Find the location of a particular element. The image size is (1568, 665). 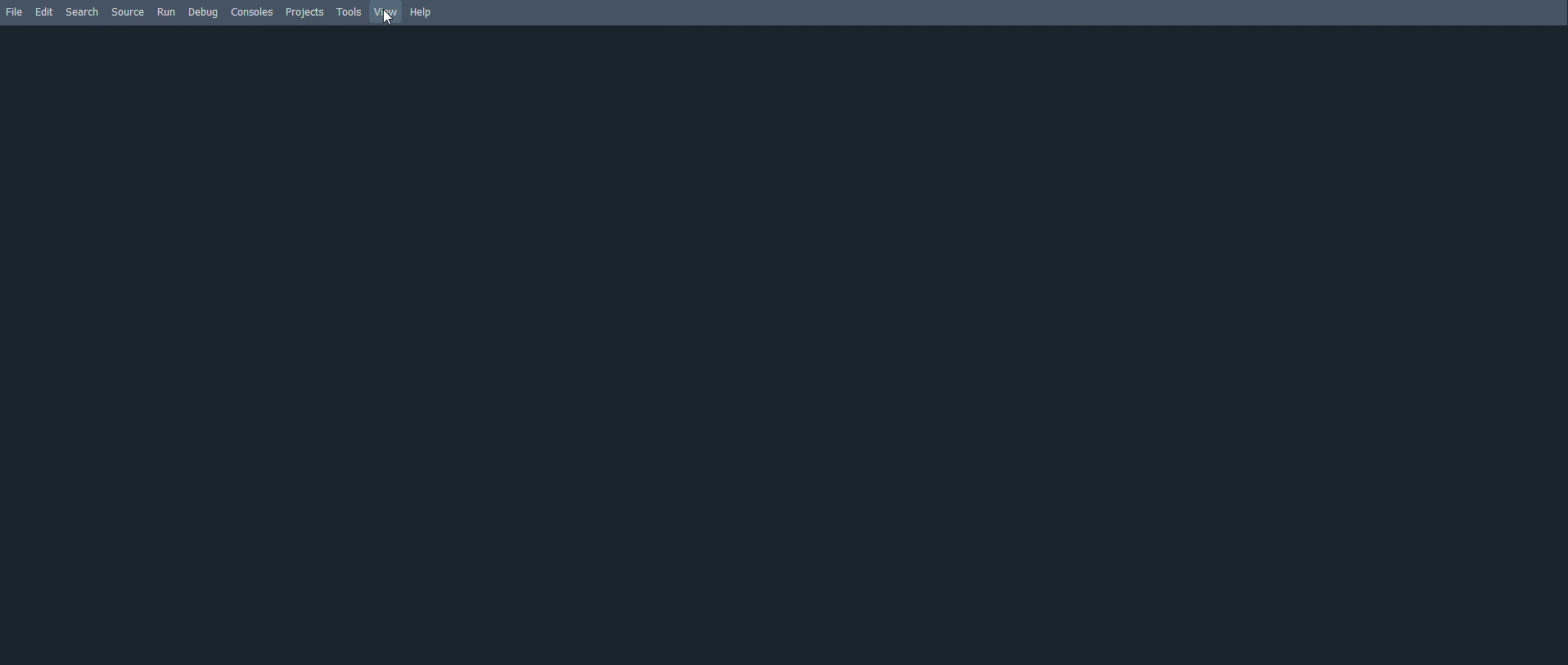

Secure is located at coordinates (130, 12).